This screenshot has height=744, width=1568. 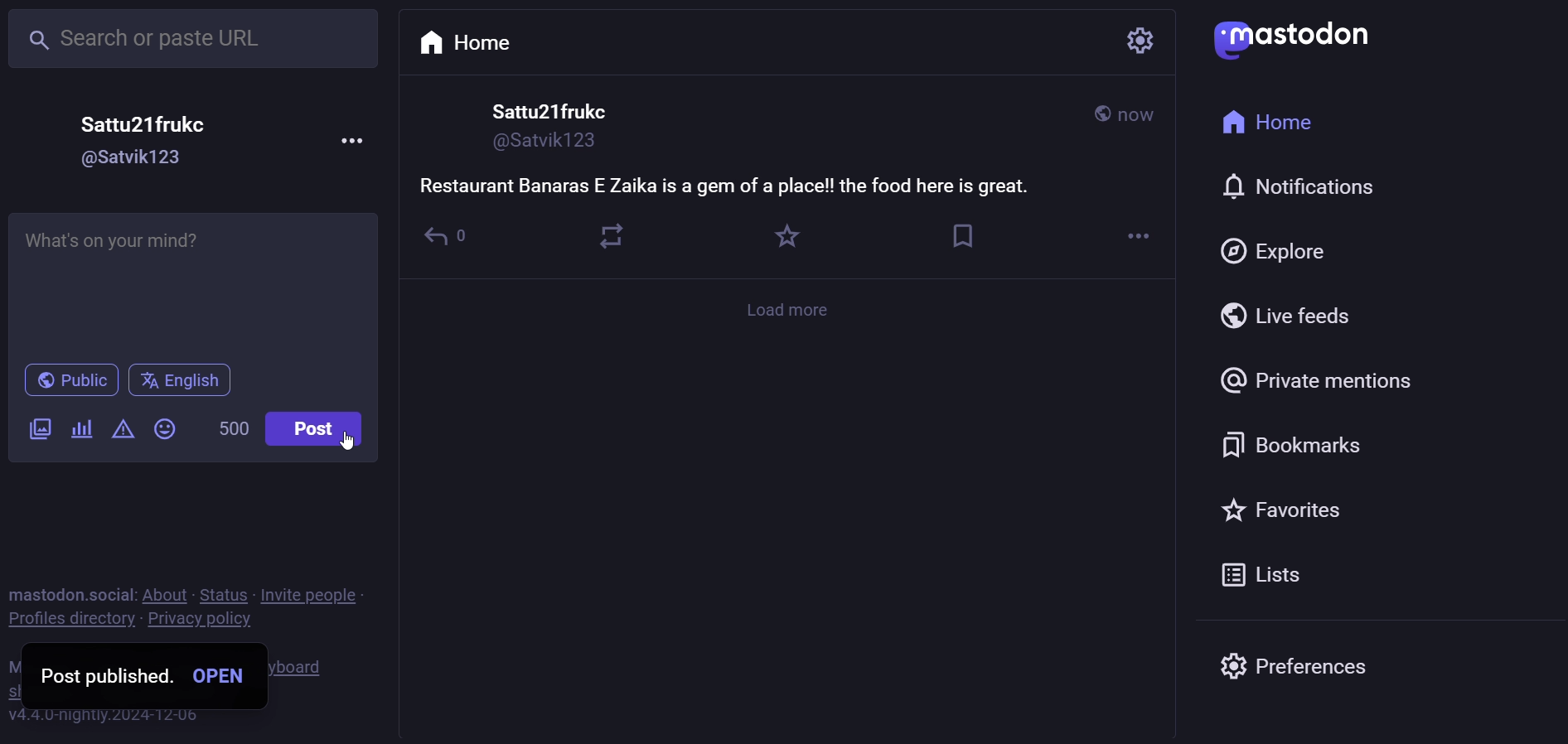 I want to click on favorite, so click(x=1283, y=511).